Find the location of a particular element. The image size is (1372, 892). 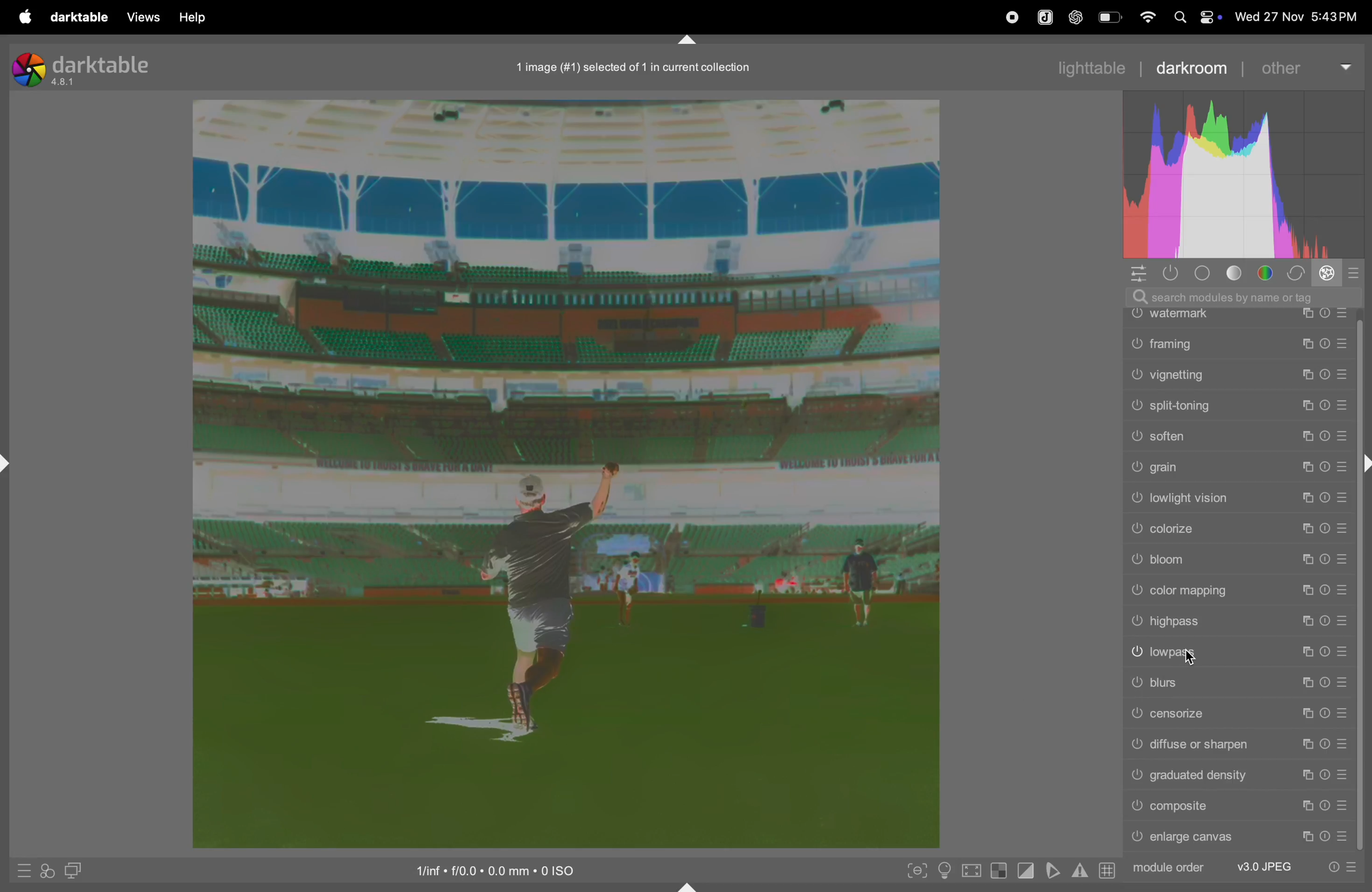

shift+ctrl+b is located at coordinates (688, 886).